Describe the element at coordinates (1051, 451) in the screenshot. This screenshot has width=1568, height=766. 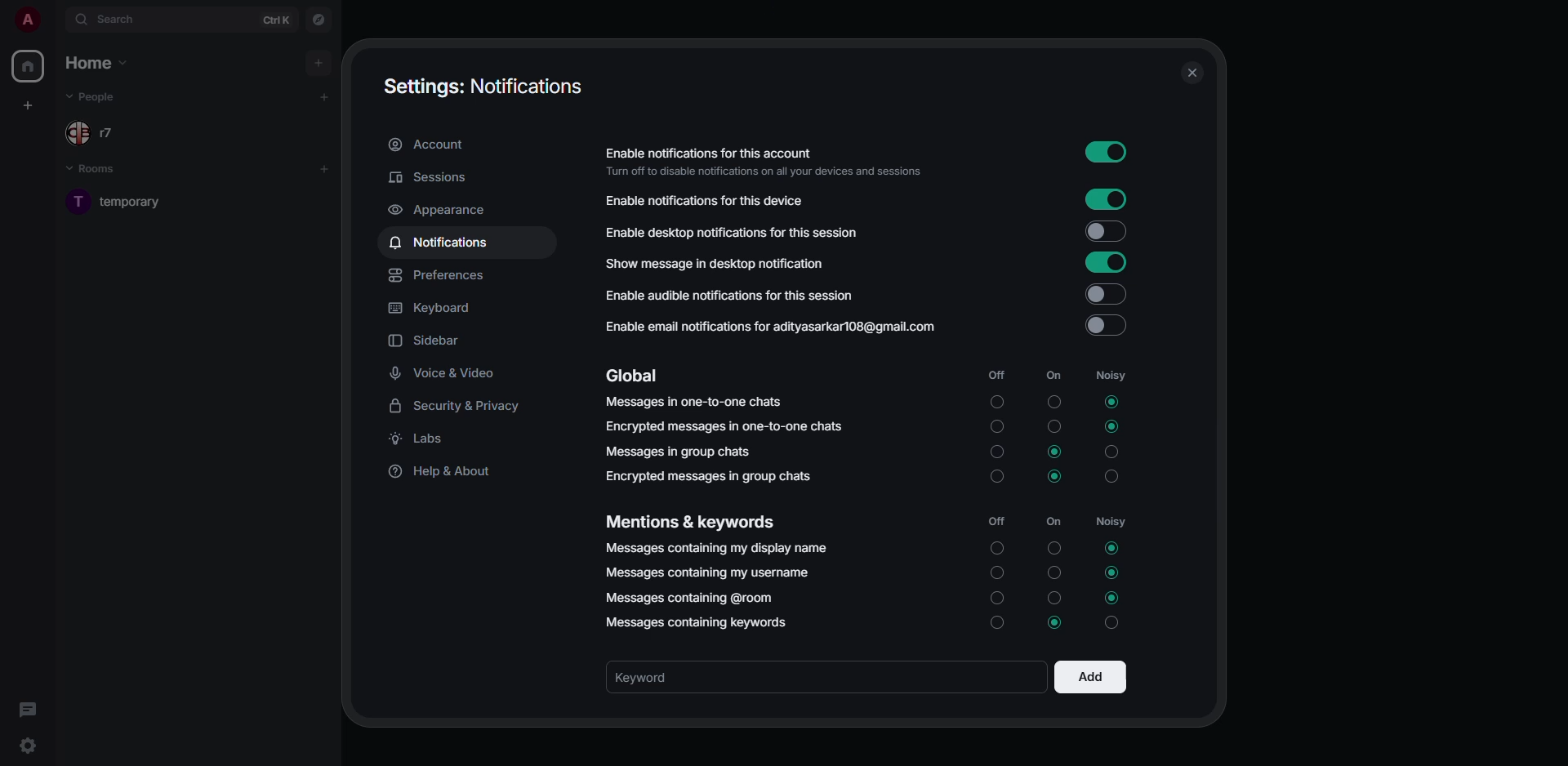
I see `selected` at that location.